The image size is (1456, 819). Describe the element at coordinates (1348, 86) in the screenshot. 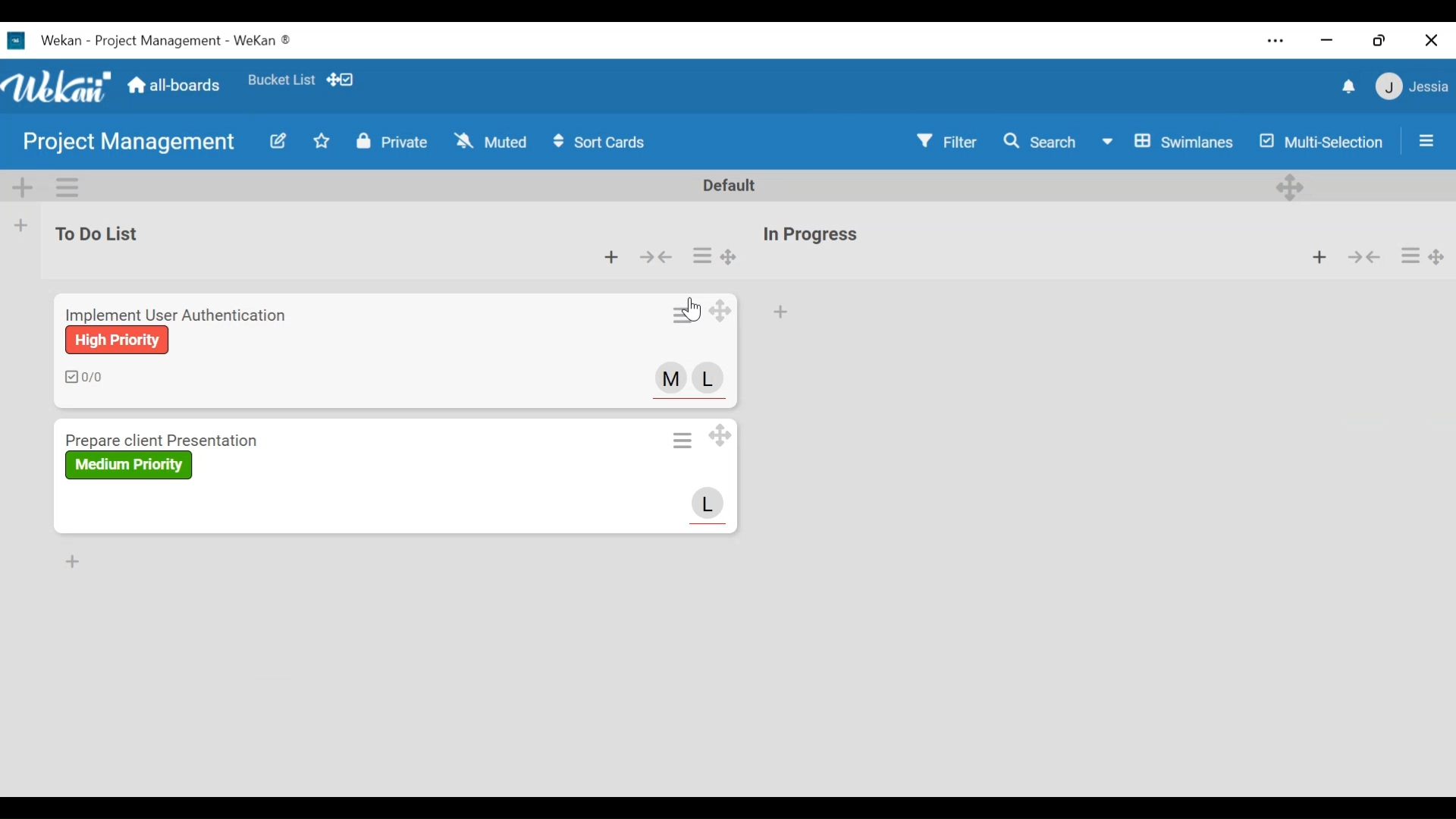

I see `notifications` at that location.